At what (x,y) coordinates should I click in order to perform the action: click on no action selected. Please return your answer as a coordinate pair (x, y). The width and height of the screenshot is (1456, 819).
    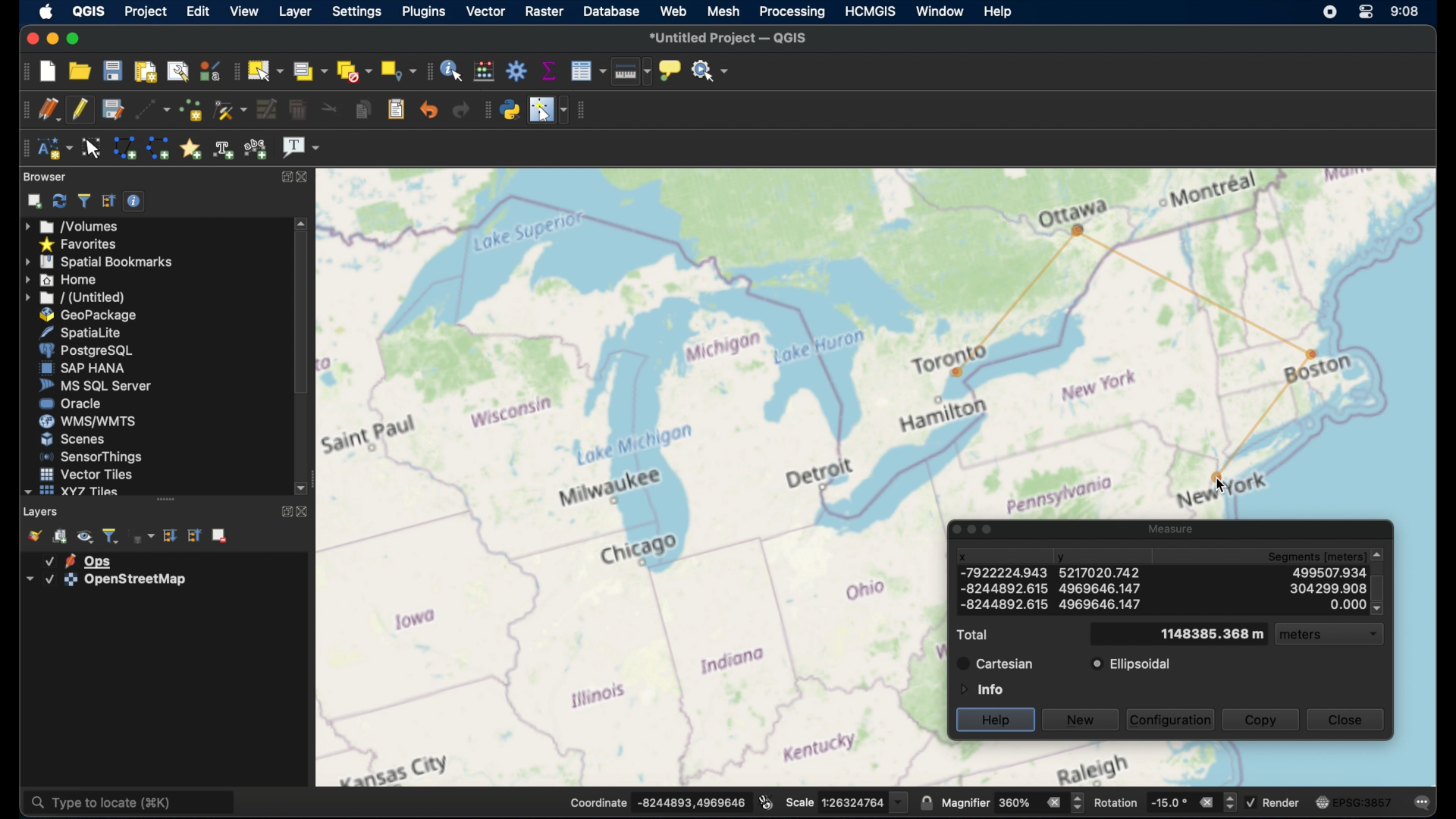
    Looking at the image, I should click on (711, 69).